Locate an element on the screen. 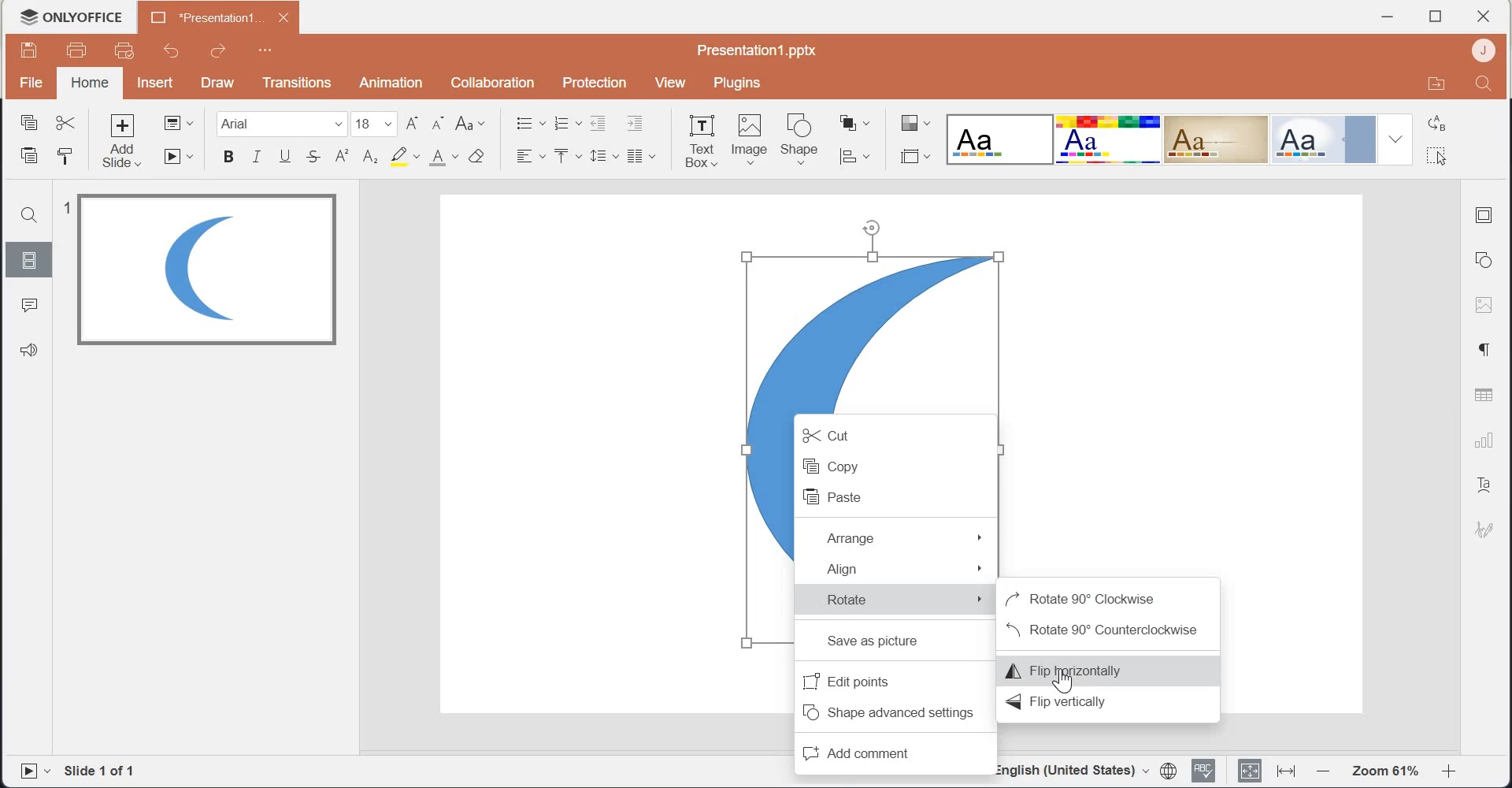 This screenshot has height=788, width=1512. Animation is located at coordinates (391, 83).